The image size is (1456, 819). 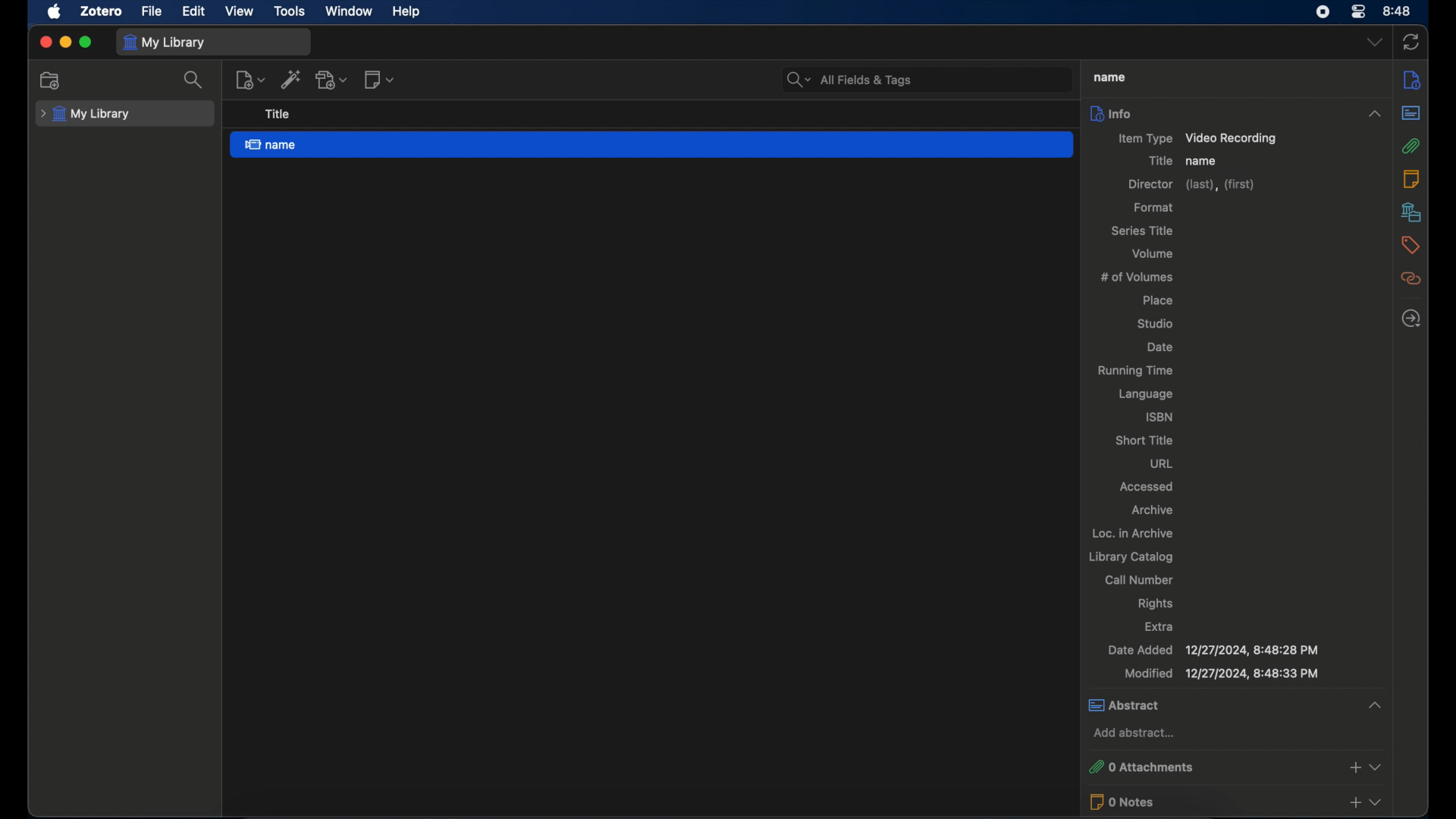 What do you see at coordinates (1214, 649) in the screenshot?
I see `Date Added 12/27/2024 8:48:28 PM` at bounding box center [1214, 649].